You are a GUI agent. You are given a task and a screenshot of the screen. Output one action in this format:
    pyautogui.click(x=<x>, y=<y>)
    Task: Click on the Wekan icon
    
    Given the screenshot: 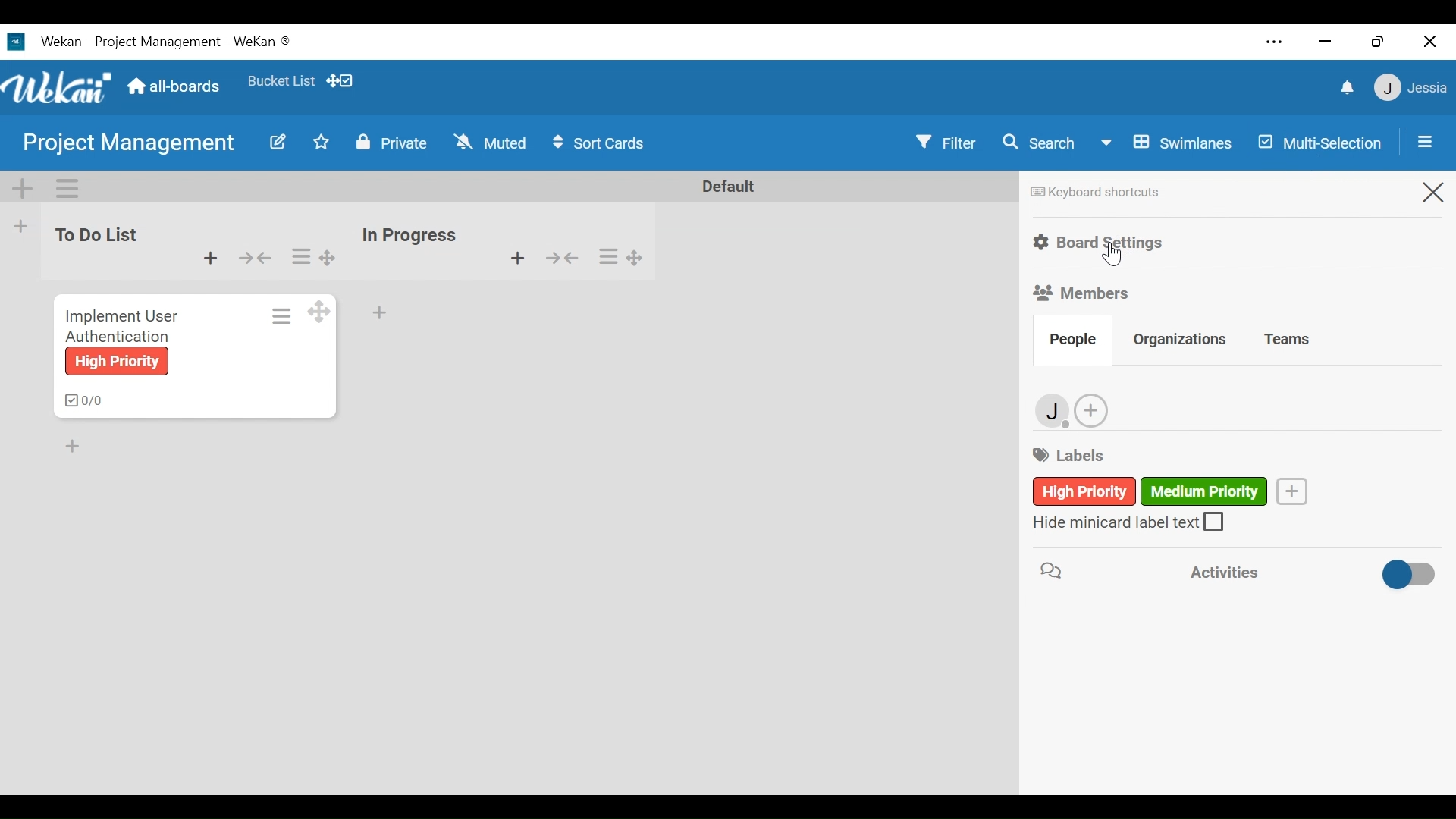 What is the action you would take?
    pyautogui.click(x=19, y=42)
    